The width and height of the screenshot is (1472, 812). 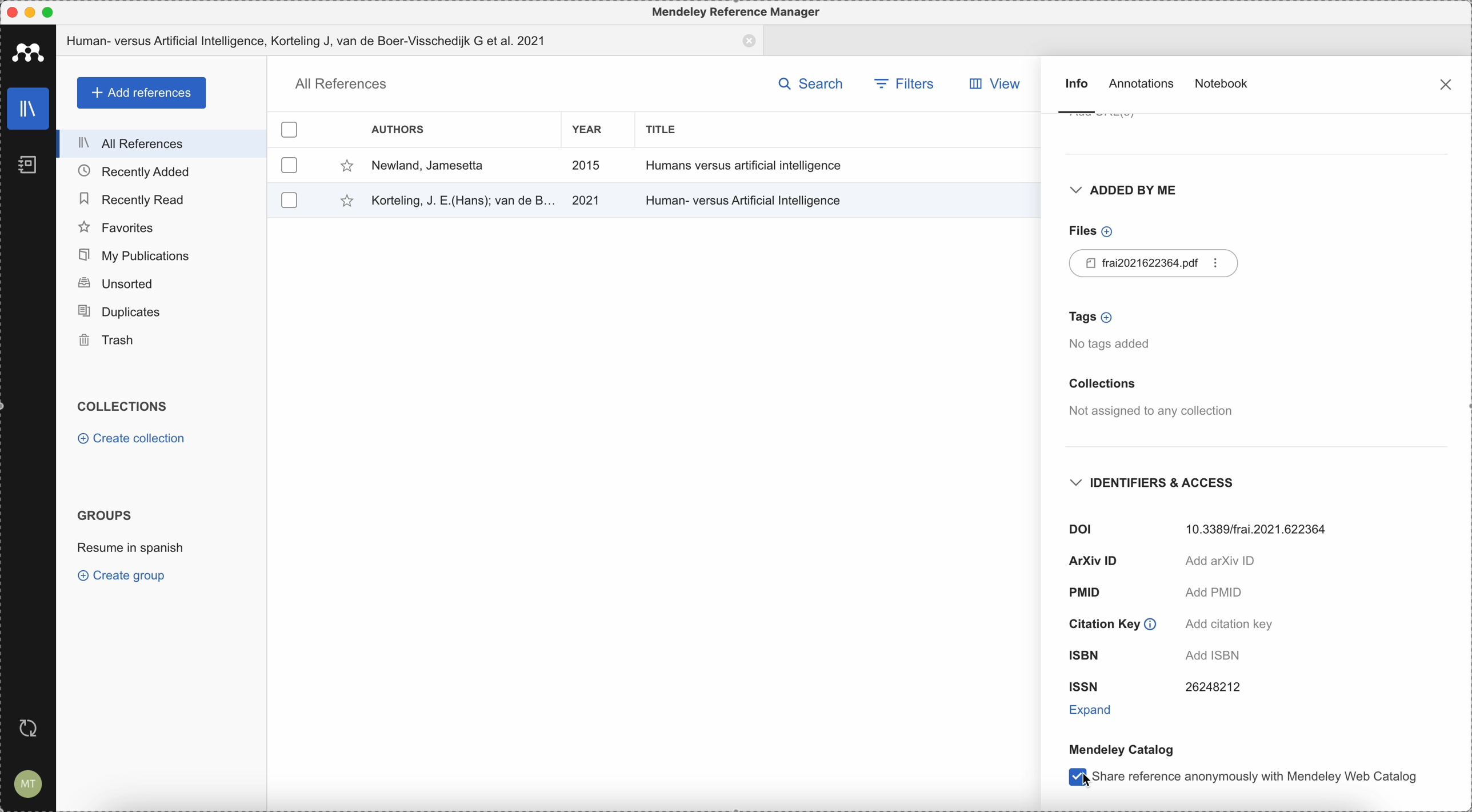 I want to click on Mendeley icon, so click(x=27, y=52).